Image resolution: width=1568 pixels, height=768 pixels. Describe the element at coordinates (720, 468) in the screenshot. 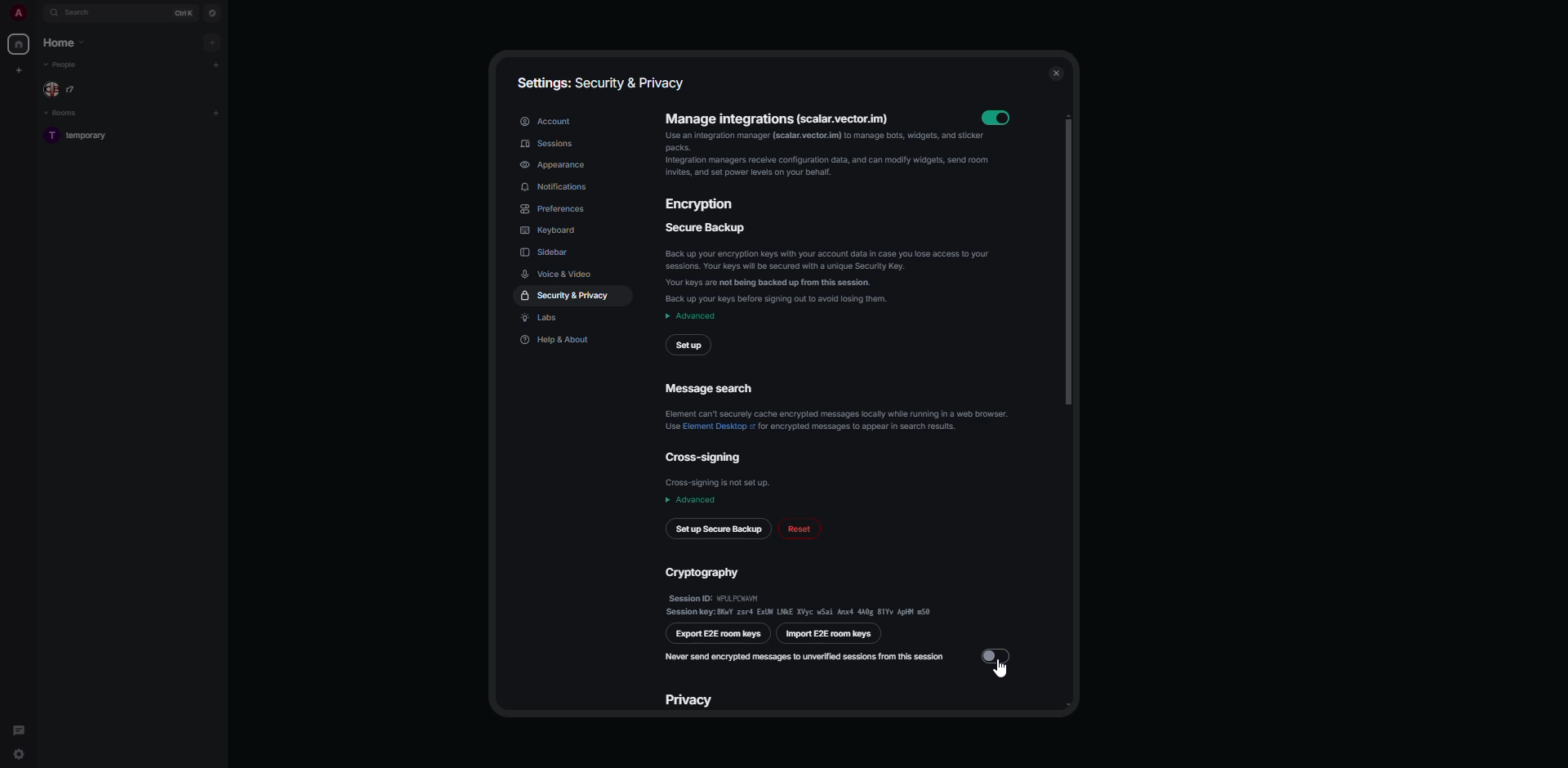

I see `cross-signing` at that location.